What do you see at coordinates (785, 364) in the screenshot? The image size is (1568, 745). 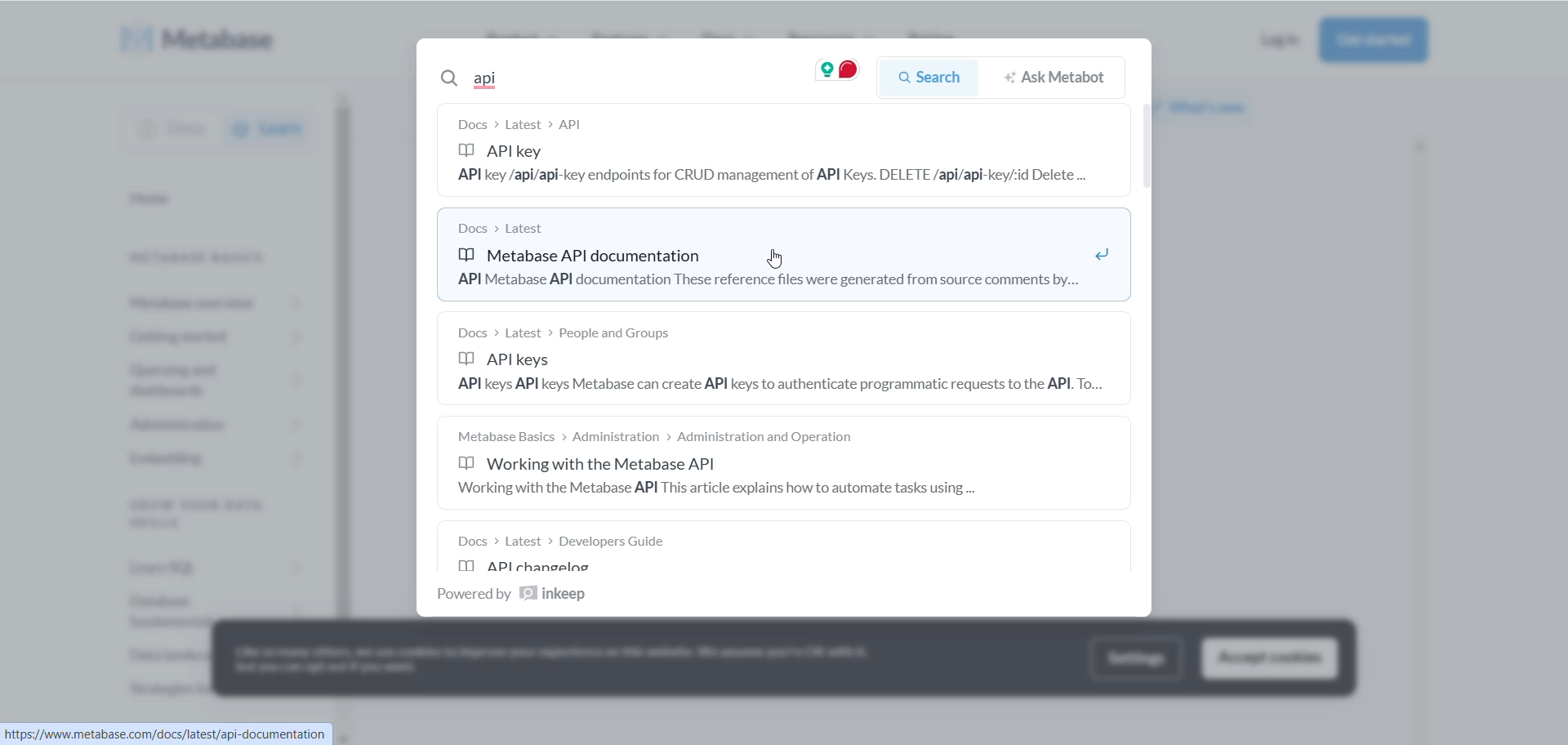 I see `api keys info` at bounding box center [785, 364].